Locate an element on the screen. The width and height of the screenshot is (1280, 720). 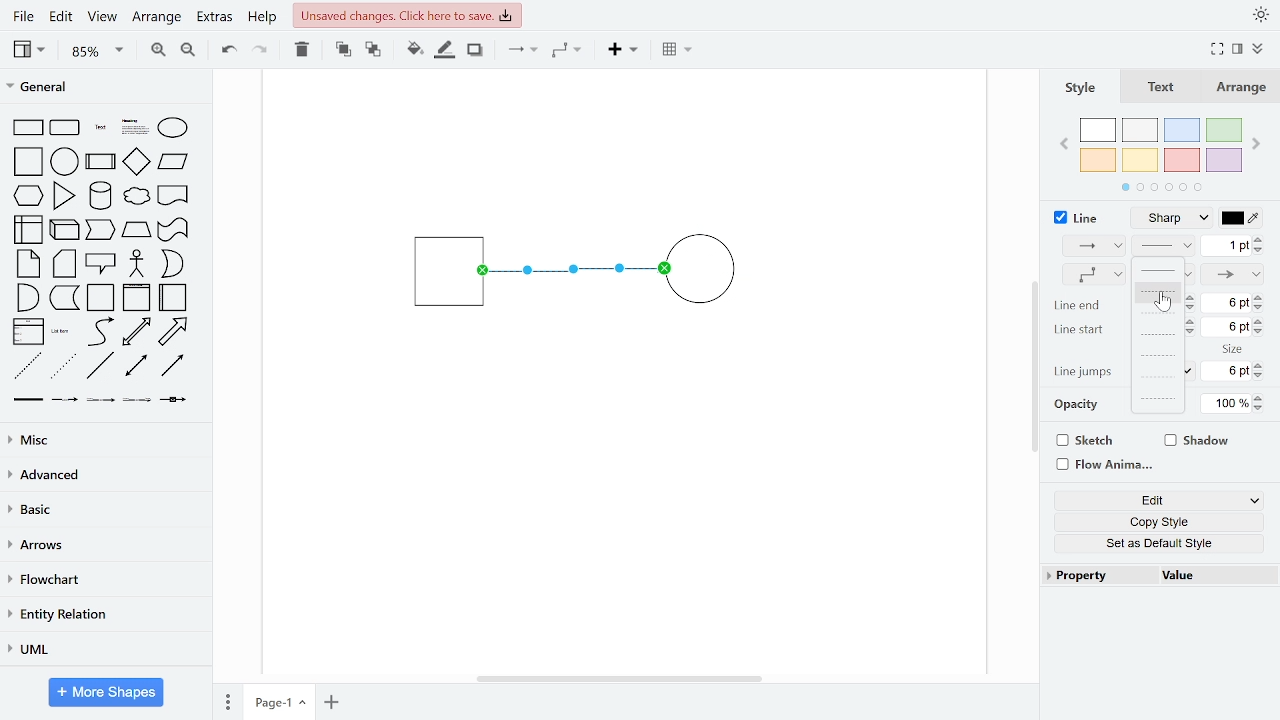
undo is located at coordinates (224, 48).